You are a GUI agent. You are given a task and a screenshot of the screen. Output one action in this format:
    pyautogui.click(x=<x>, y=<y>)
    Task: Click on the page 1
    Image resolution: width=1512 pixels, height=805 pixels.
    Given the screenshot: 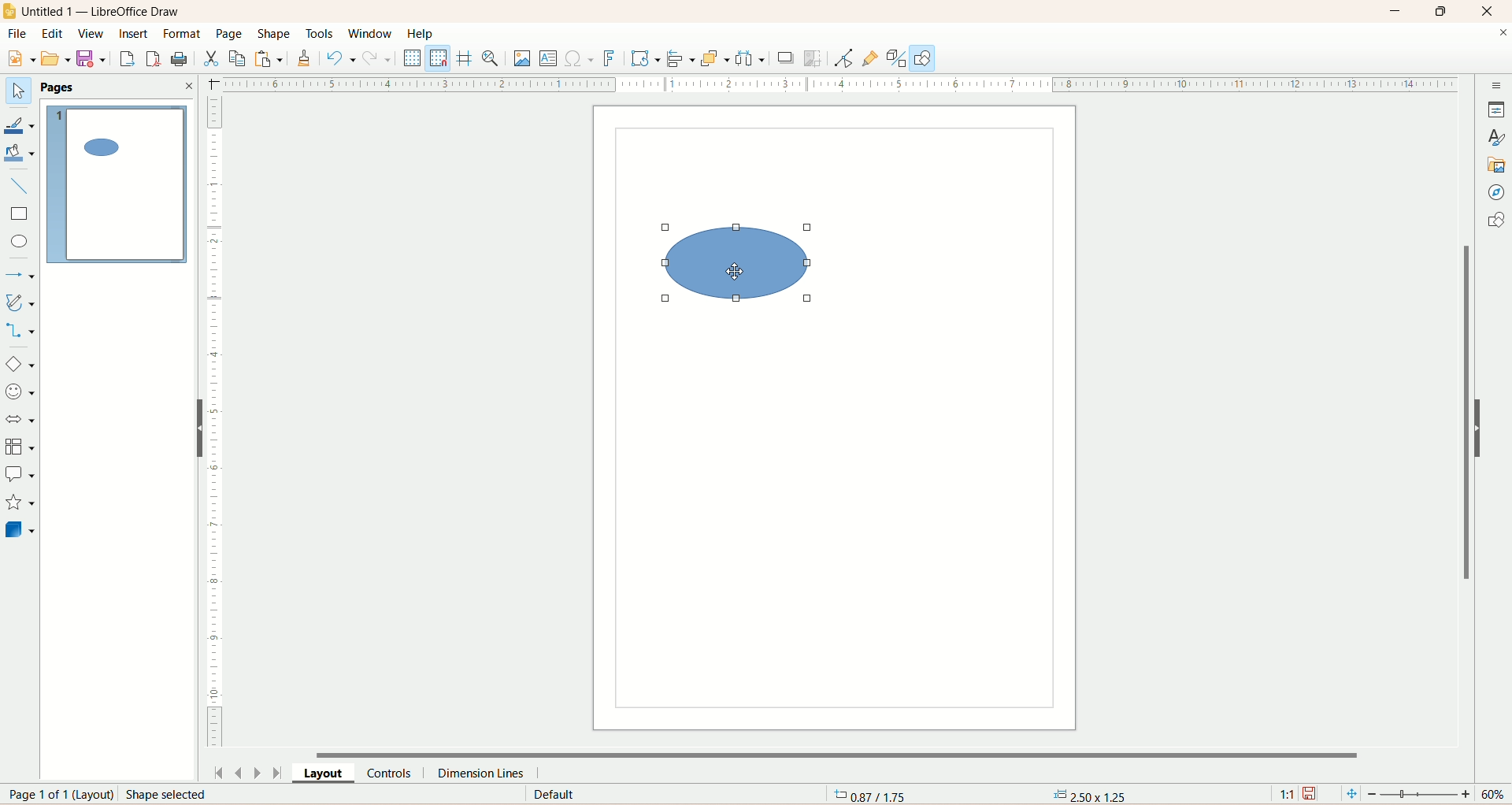 What is the action you would take?
    pyautogui.click(x=117, y=183)
    